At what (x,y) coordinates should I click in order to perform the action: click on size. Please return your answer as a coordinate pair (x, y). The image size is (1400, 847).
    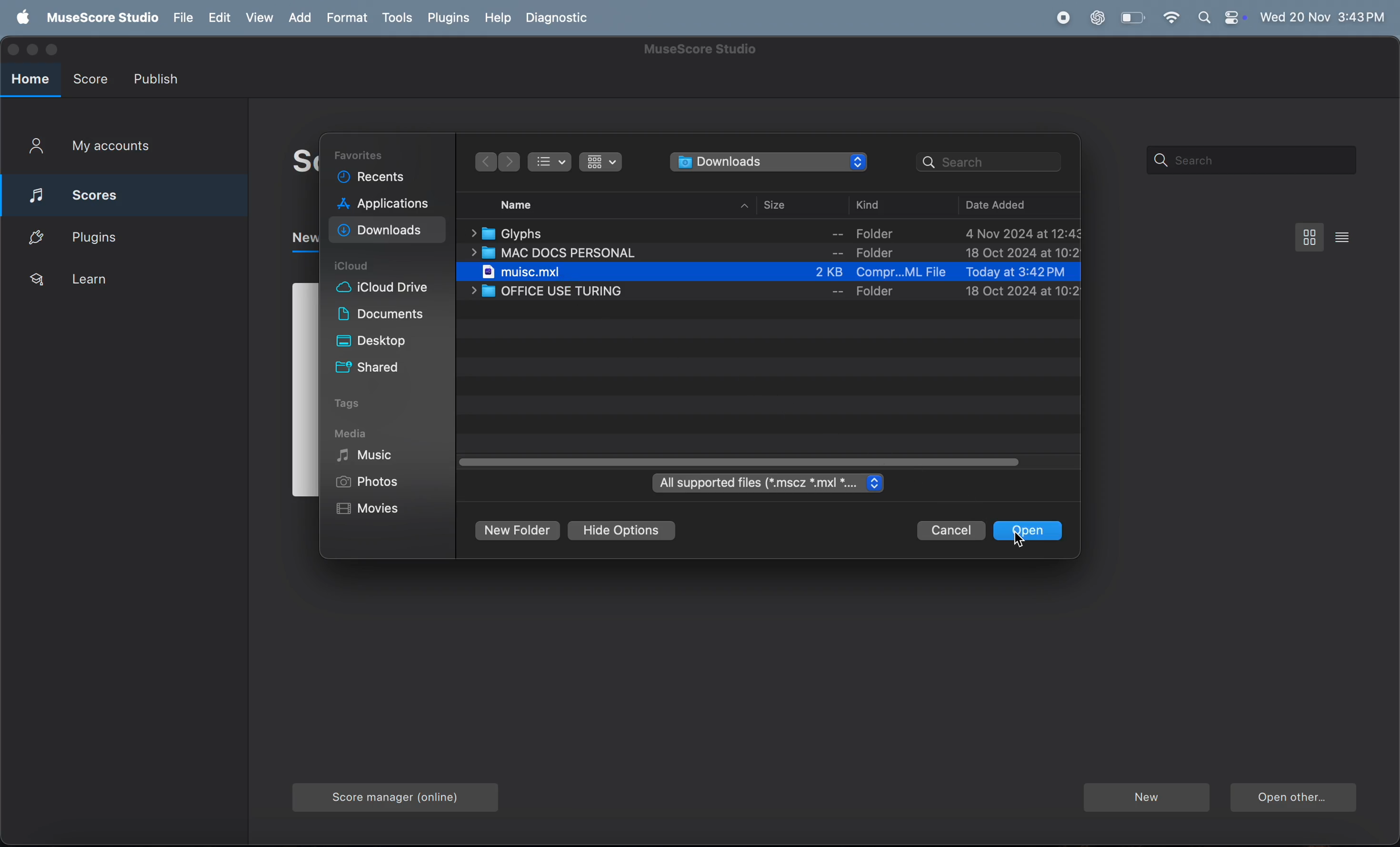
    Looking at the image, I should click on (794, 205).